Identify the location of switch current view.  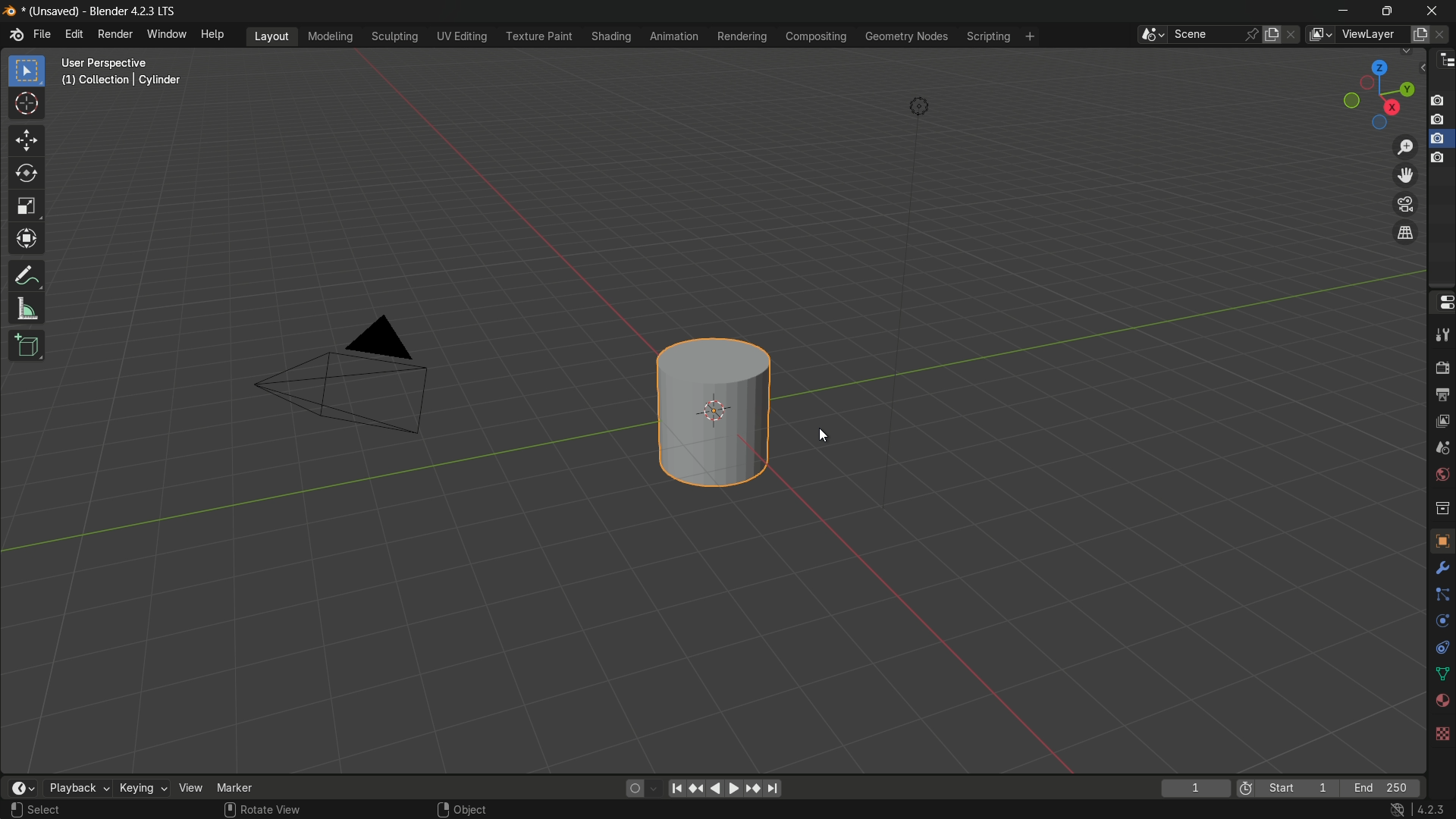
(1405, 232).